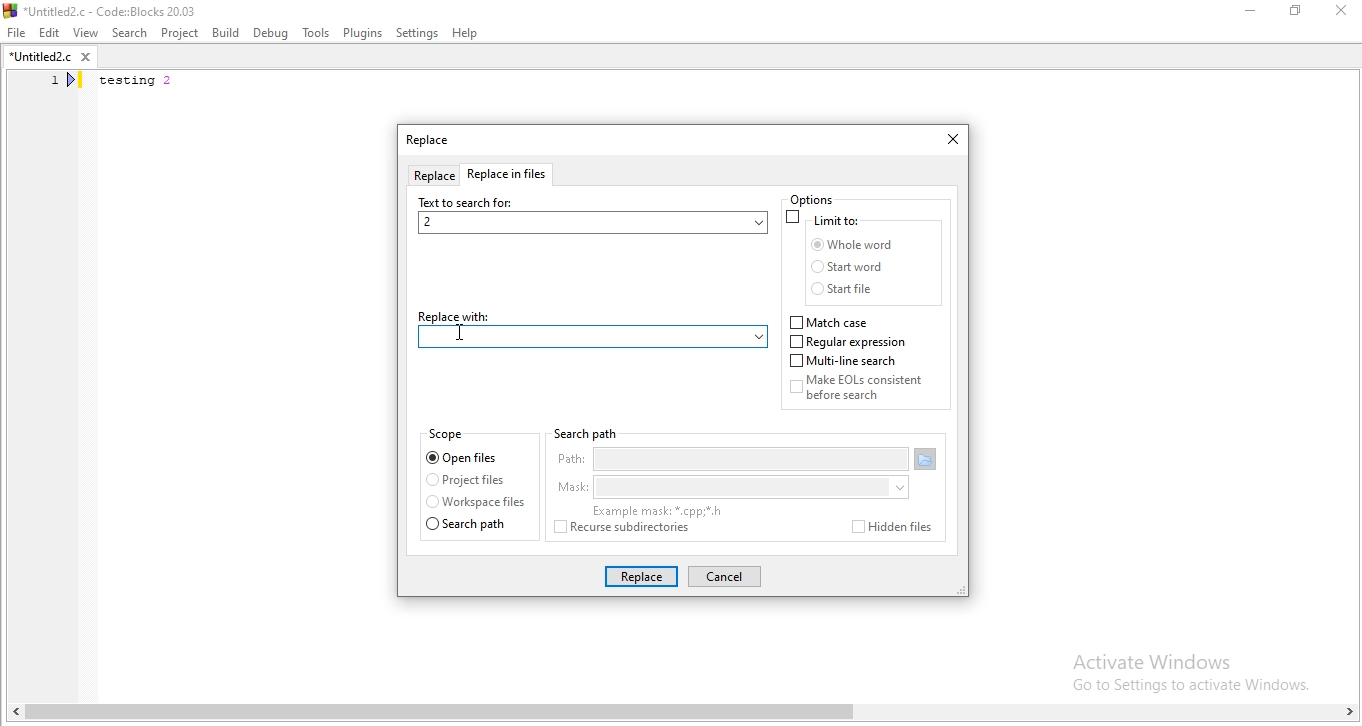 The image size is (1362, 726). Describe the element at coordinates (433, 177) in the screenshot. I see `replace` at that location.